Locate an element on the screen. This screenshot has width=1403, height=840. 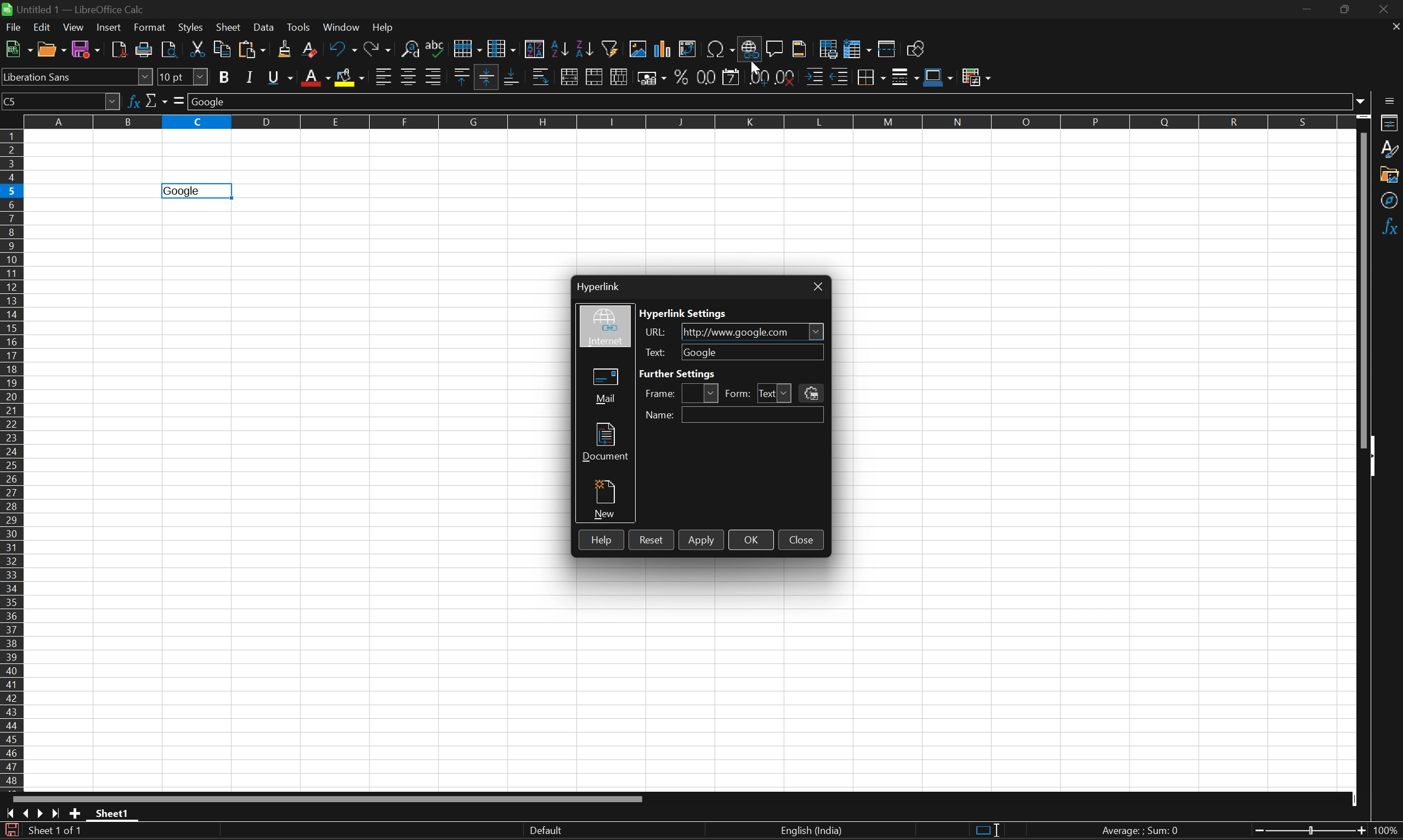
Untitled1 - LibreOffice Calc is located at coordinates (74, 8).